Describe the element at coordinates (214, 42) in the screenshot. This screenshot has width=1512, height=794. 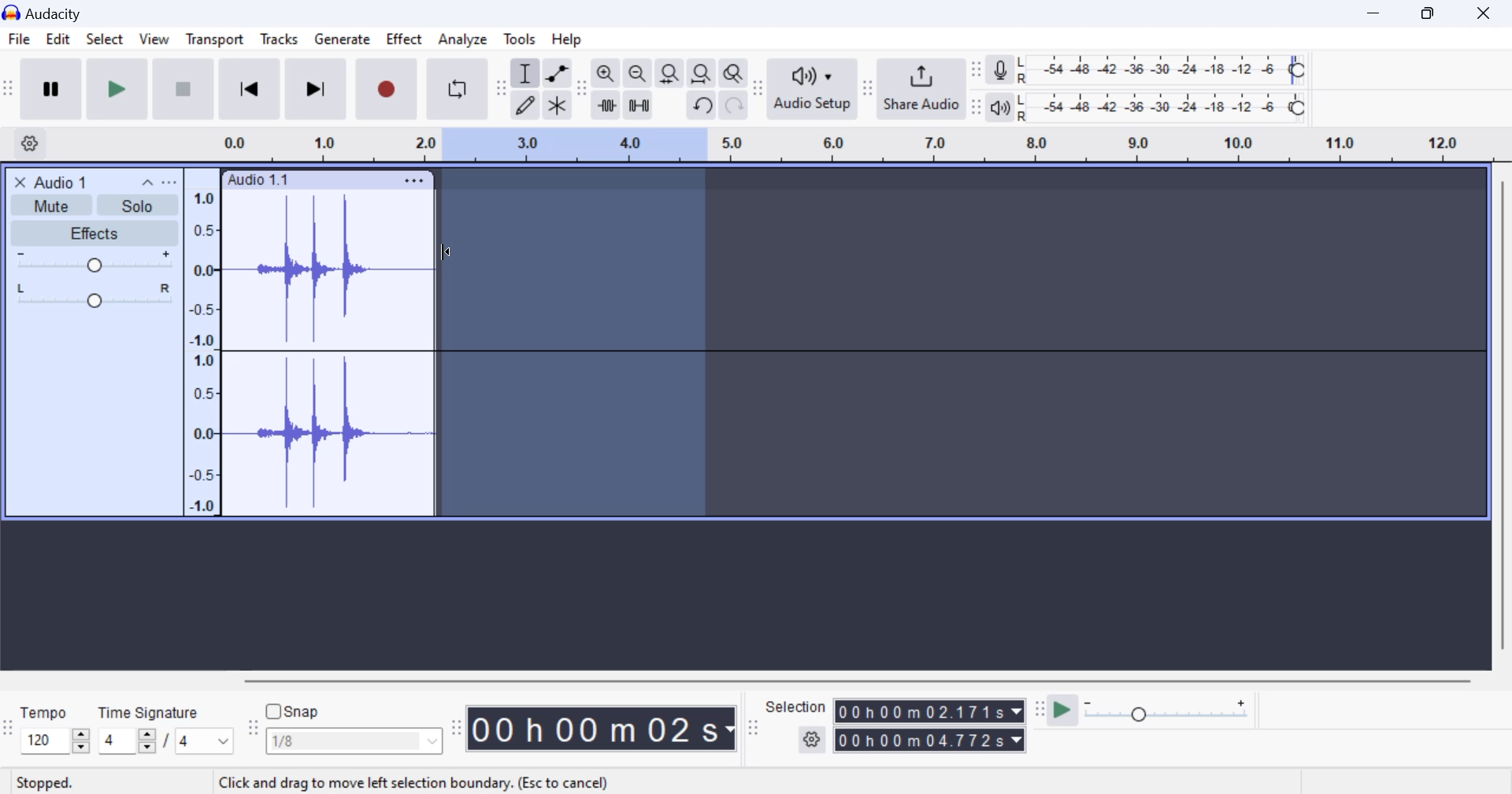
I see `Transport` at that location.